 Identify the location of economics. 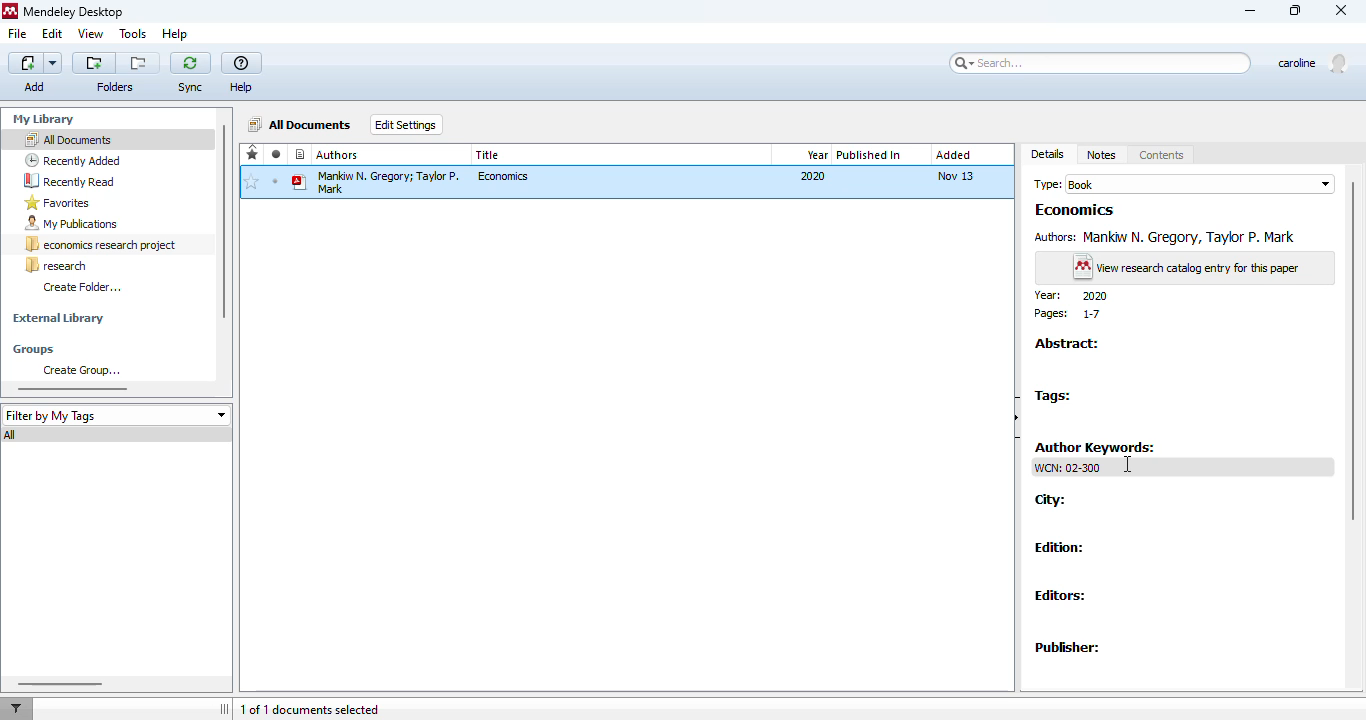
(505, 176).